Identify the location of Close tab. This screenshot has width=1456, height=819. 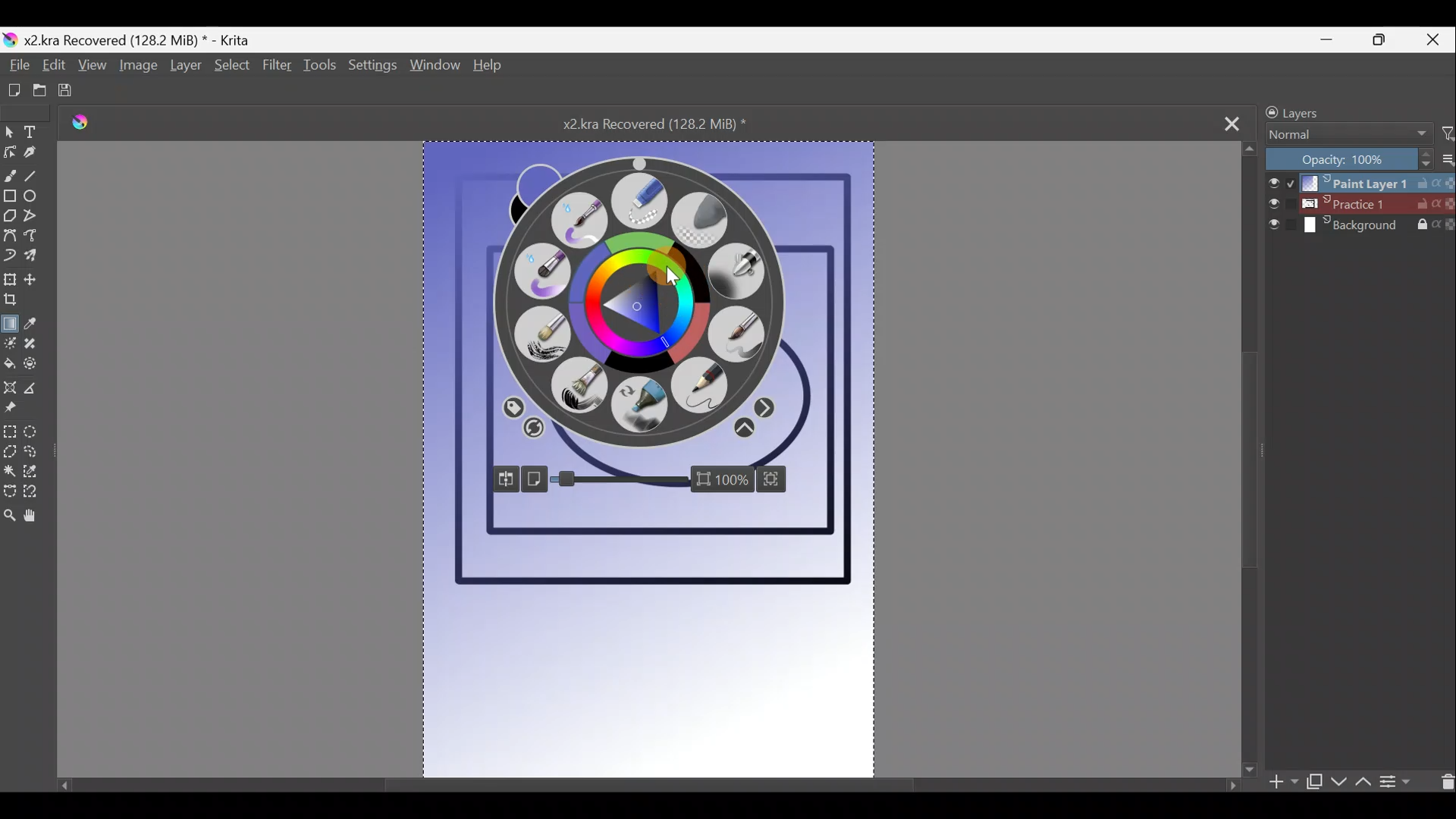
(1232, 122).